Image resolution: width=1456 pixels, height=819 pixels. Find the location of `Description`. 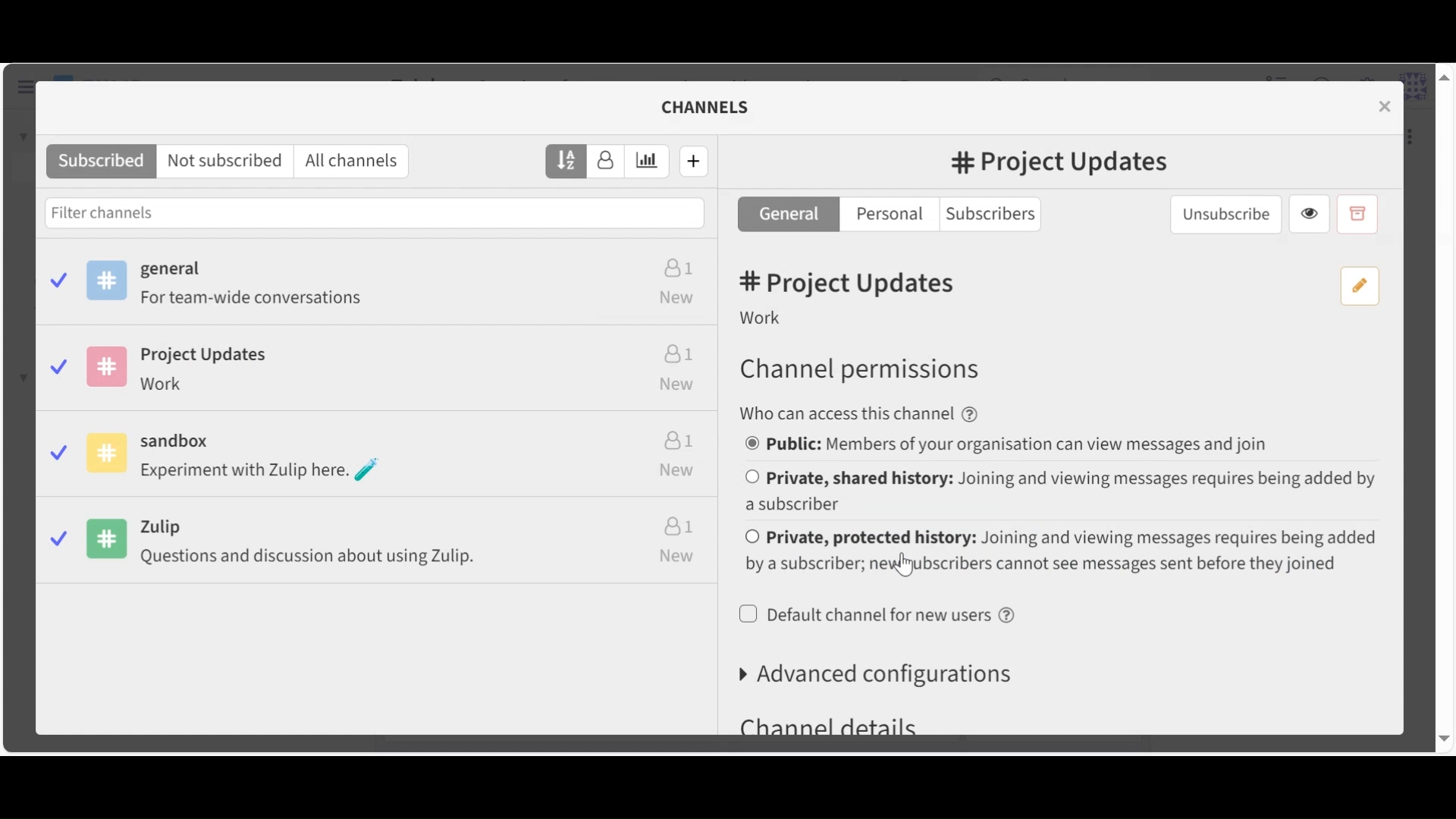

Description is located at coordinates (779, 319).